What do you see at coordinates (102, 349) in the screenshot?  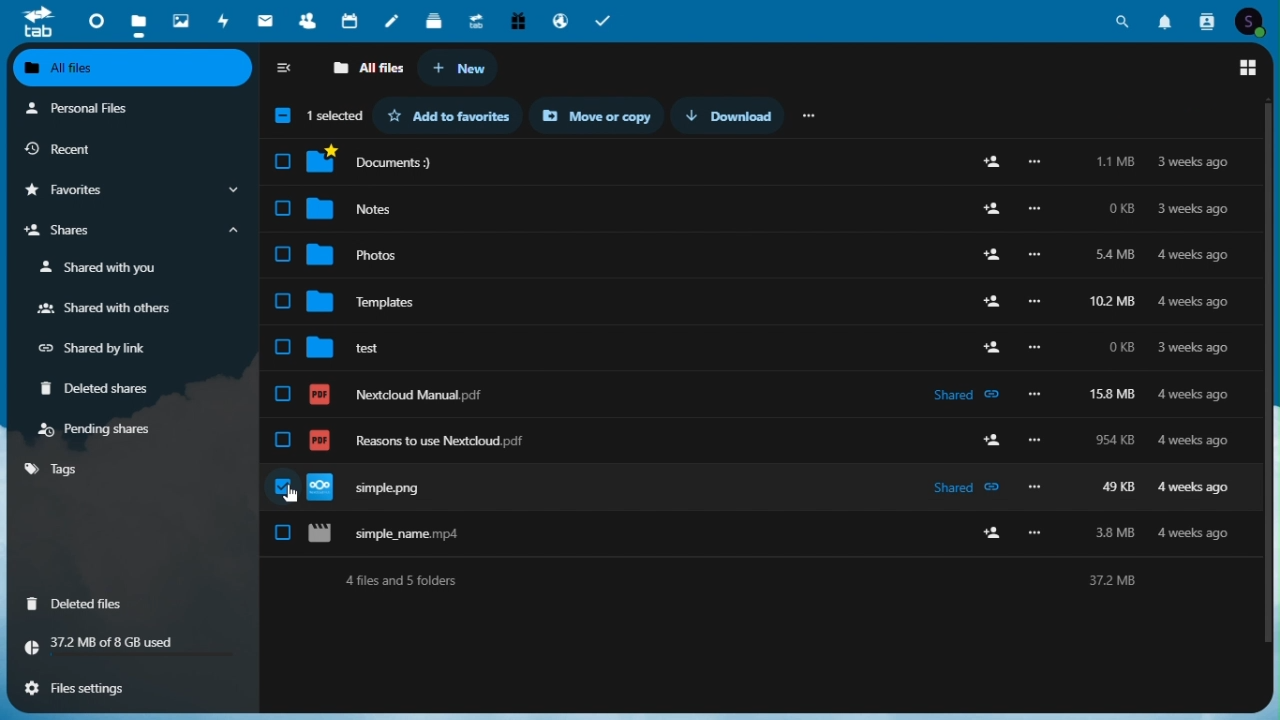 I see `shared by link` at bounding box center [102, 349].